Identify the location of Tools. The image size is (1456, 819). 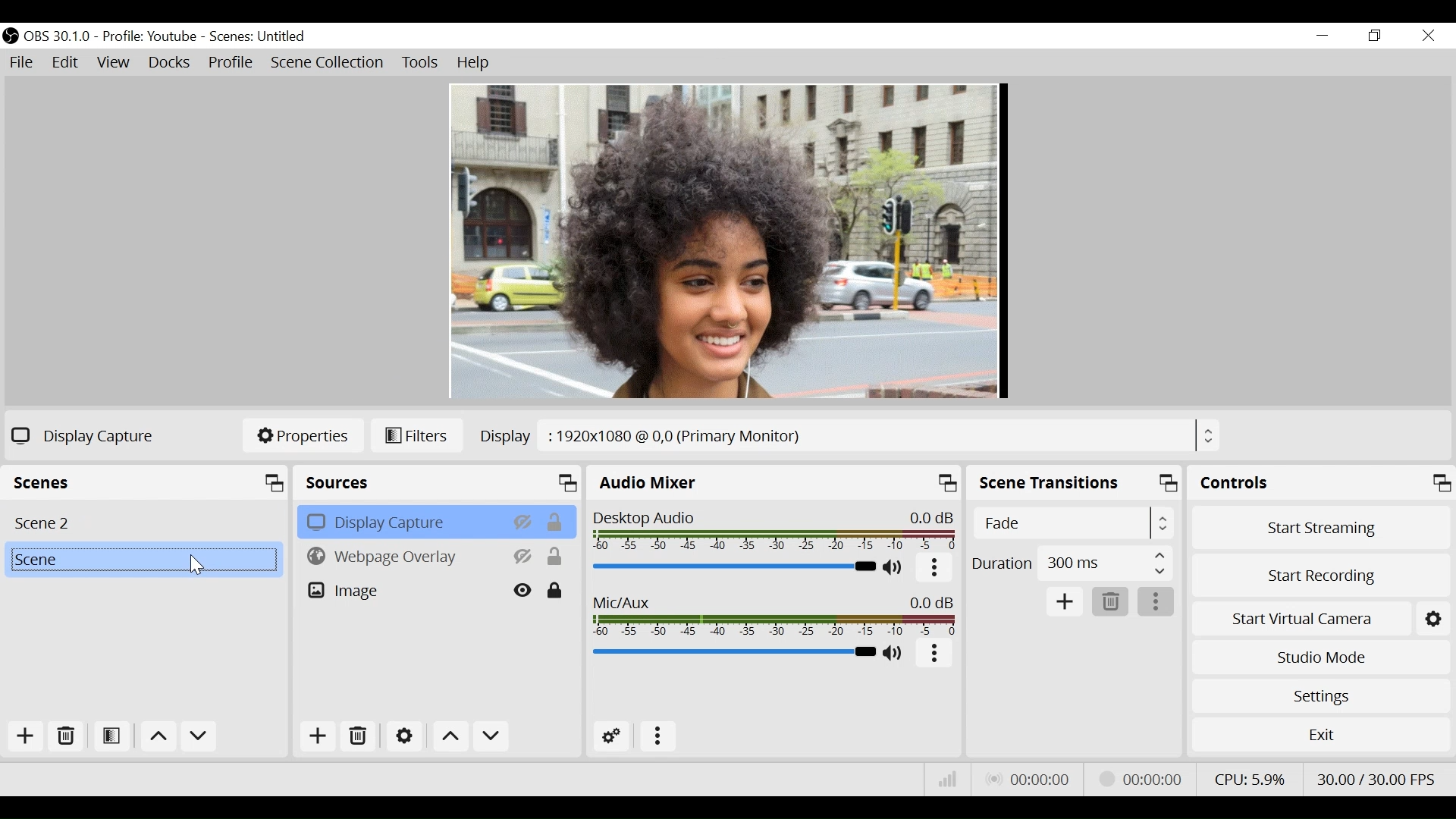
(422, 63).